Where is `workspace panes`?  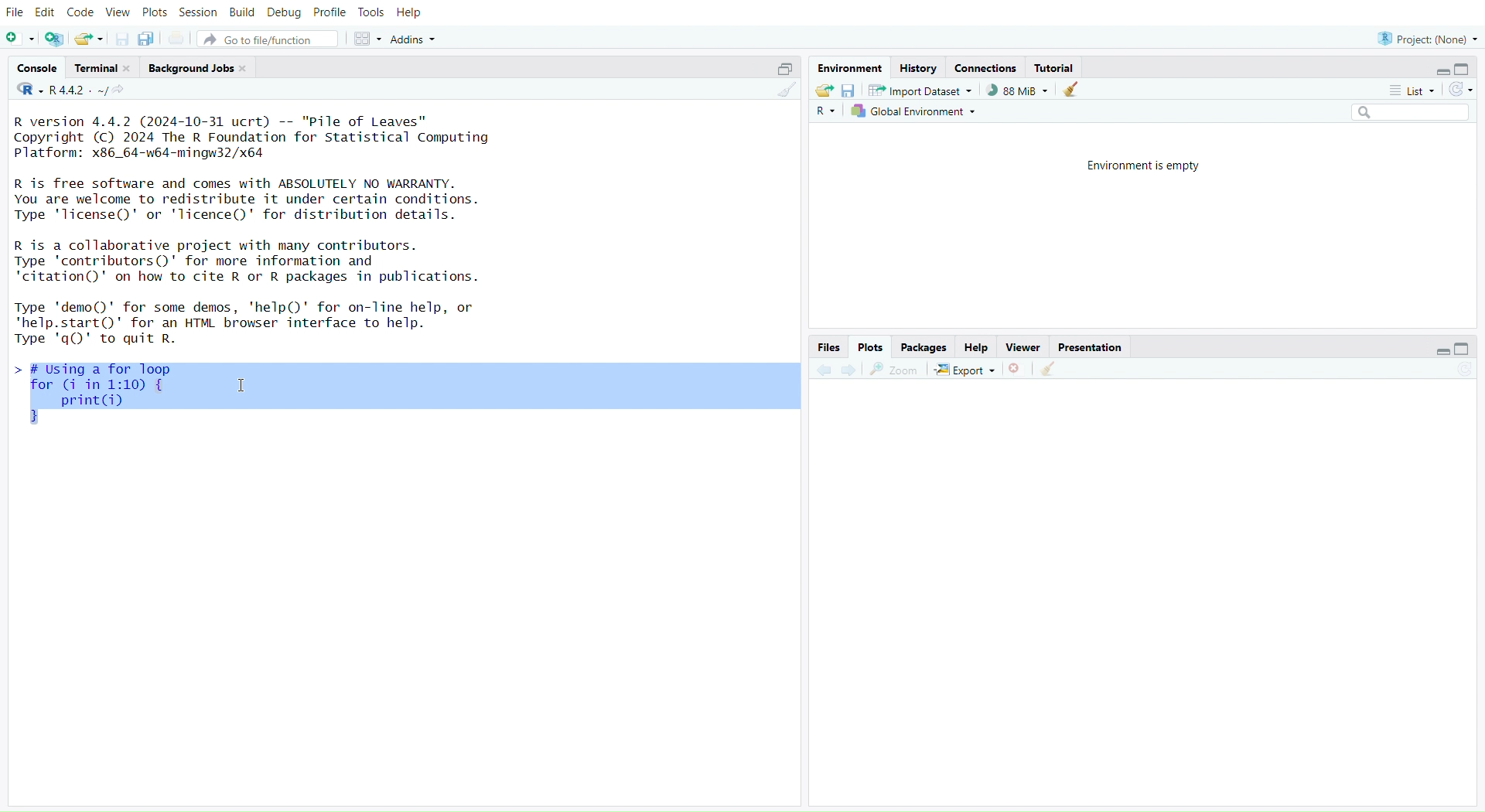 workspace panes is located at coordinates (367, 40).